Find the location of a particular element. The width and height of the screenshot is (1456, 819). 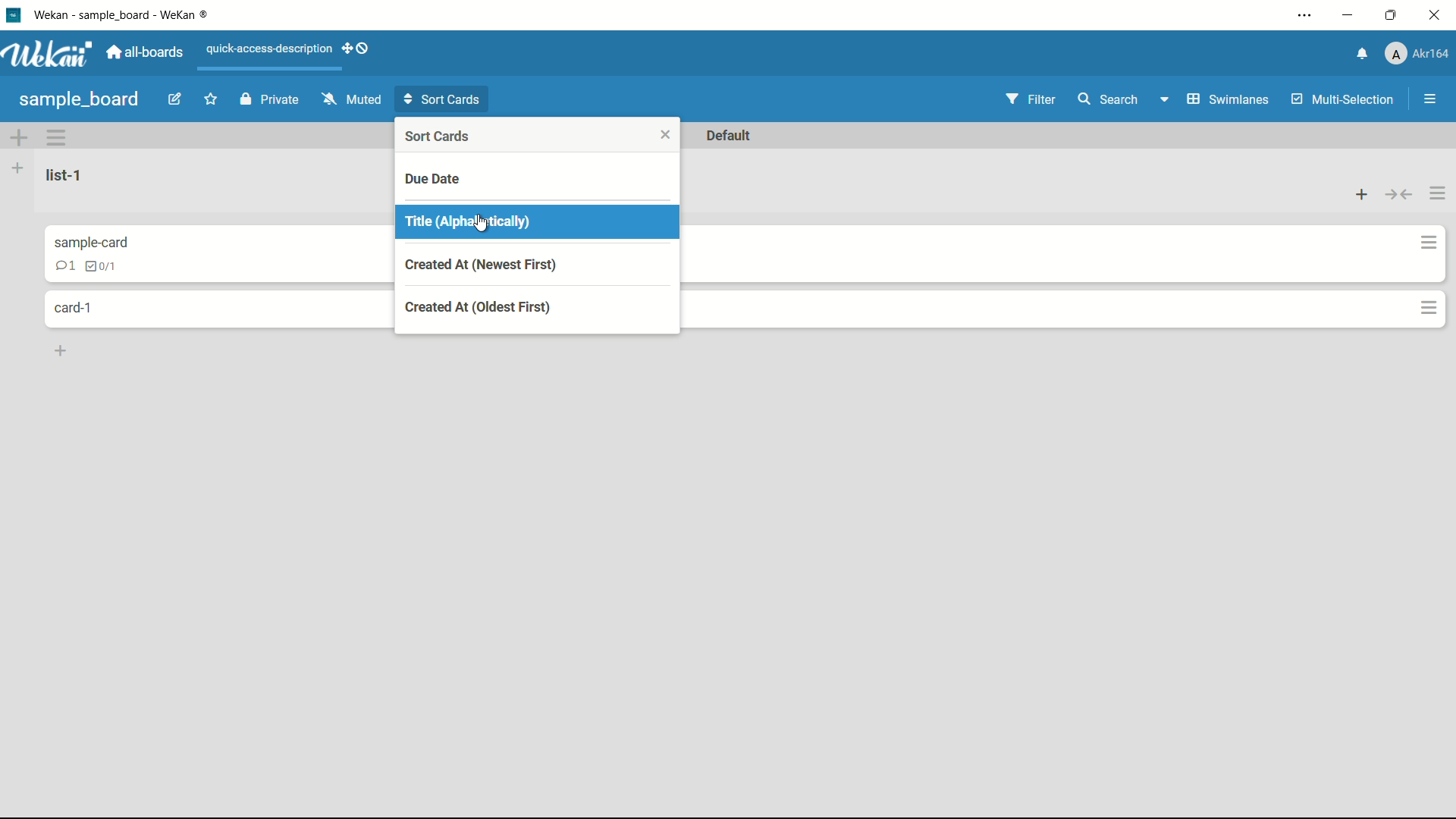

default is located at coordinates (731, 136).